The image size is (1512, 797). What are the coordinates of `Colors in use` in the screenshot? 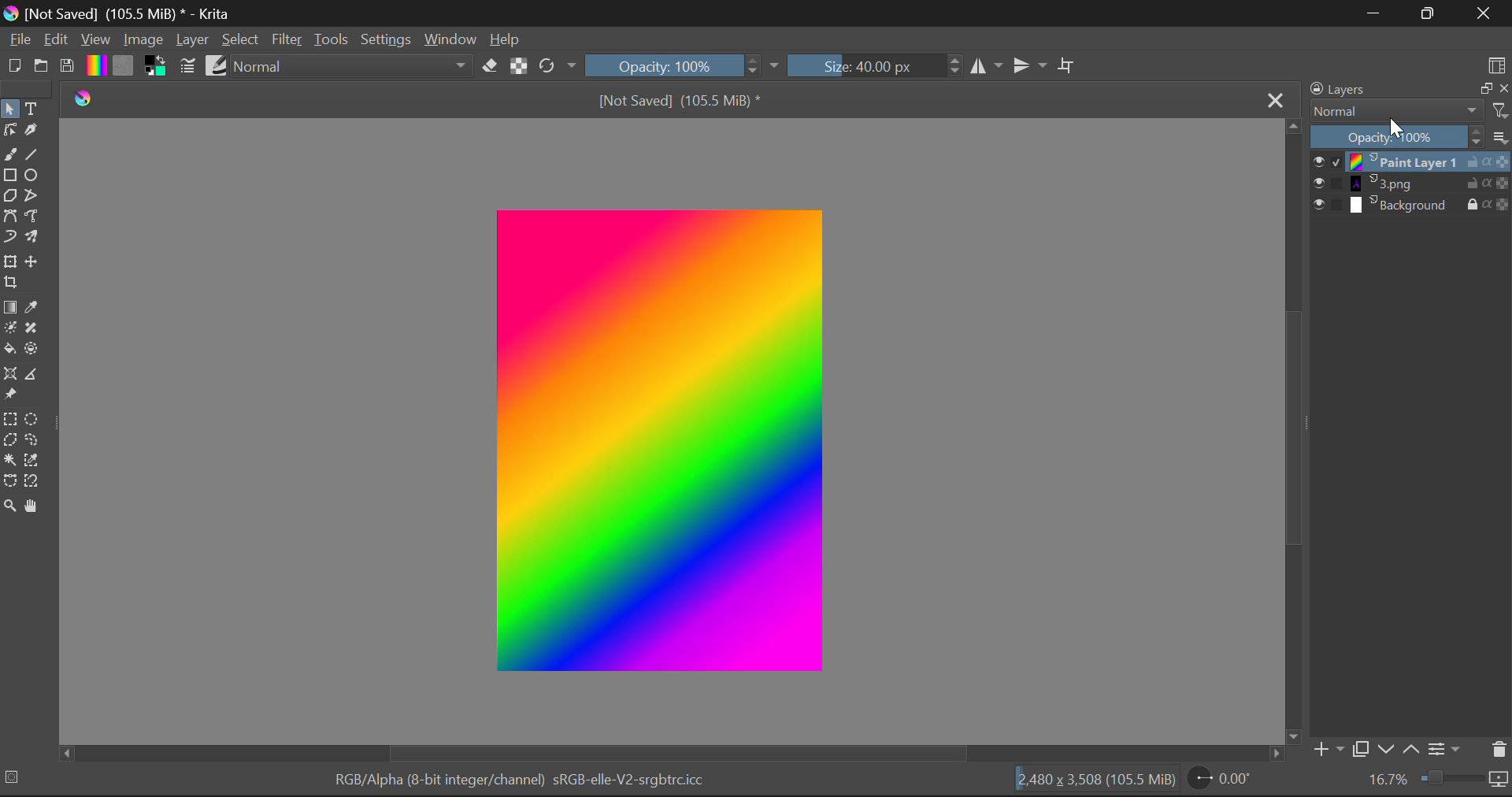 It's located at (157, 67).